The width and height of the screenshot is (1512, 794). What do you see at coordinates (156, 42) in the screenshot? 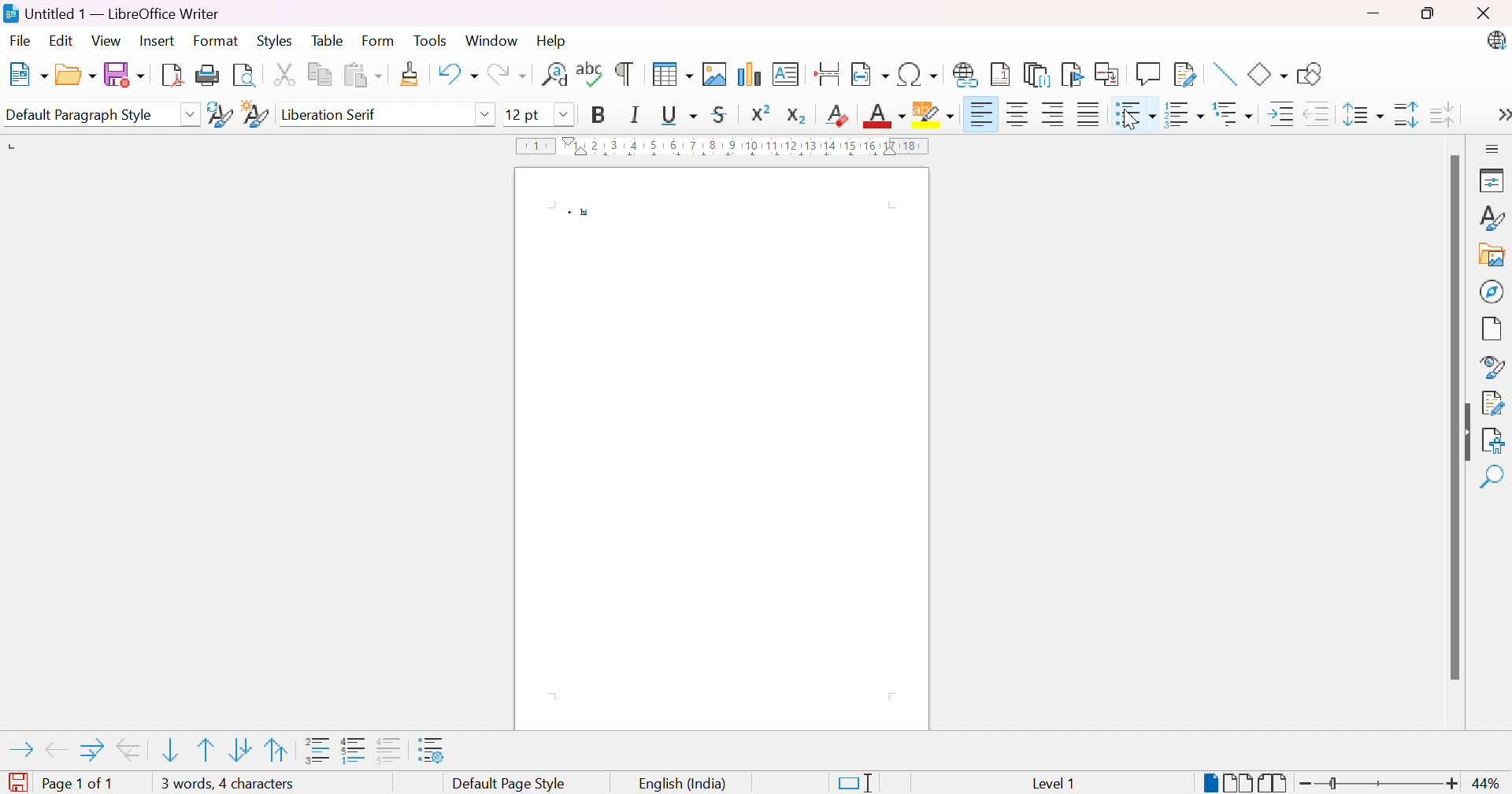
I see `Insert` at bounding box center [156, 42].